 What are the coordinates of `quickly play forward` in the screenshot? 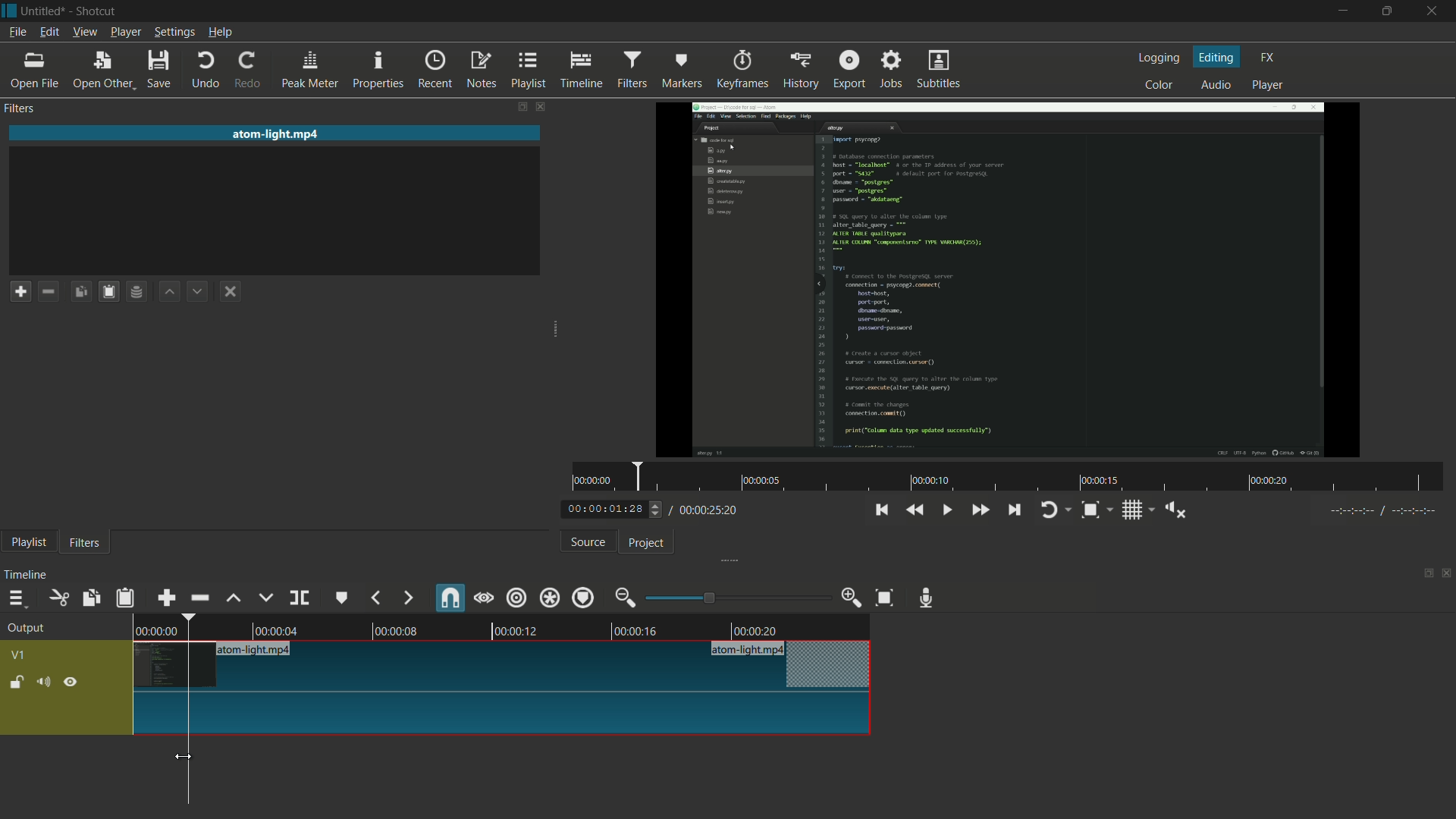 It's located at (979, 510).